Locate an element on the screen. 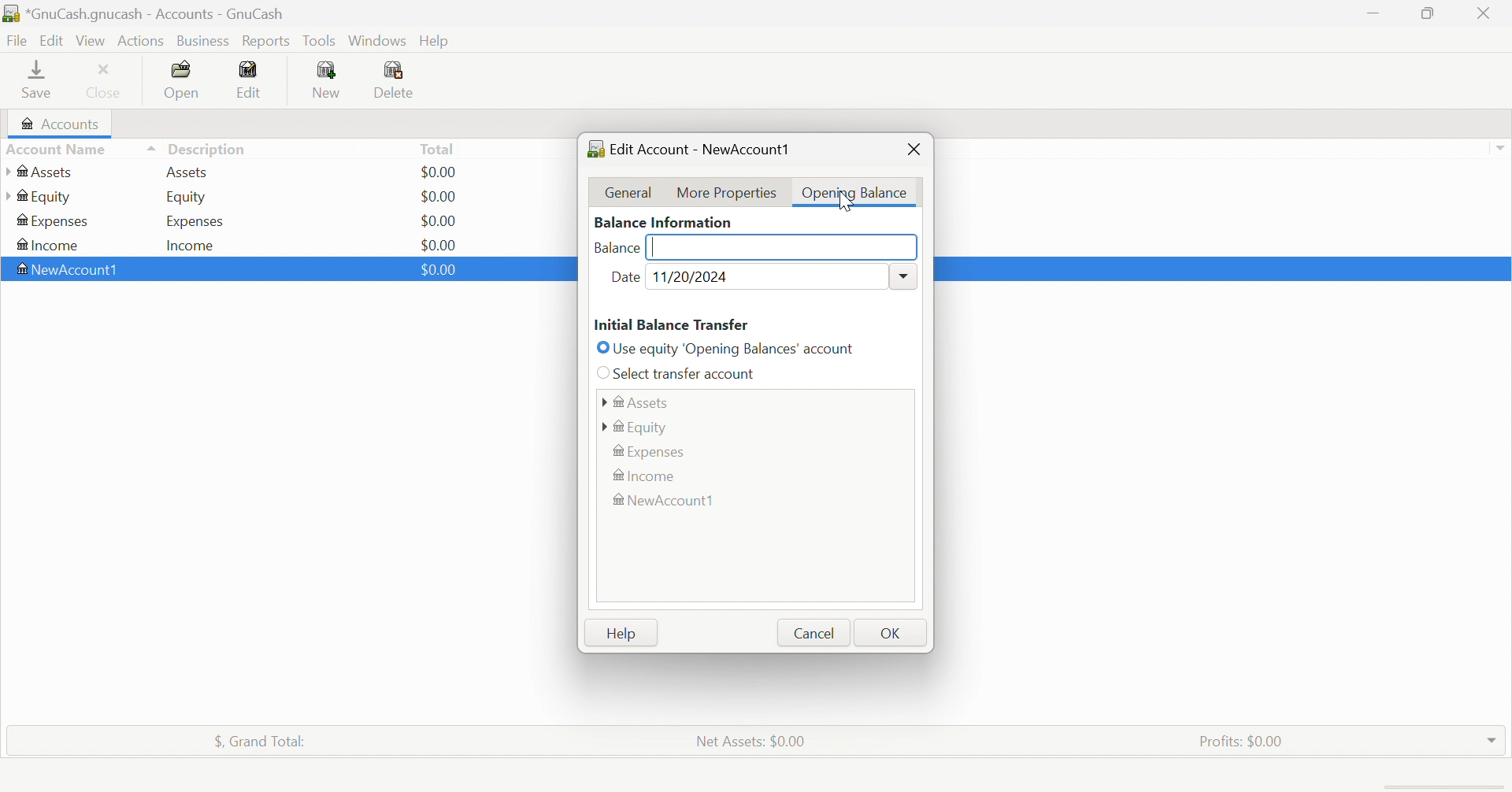 This screenshot has height=792, width=1512. Typing cursor is located at coordinates (657, 246).